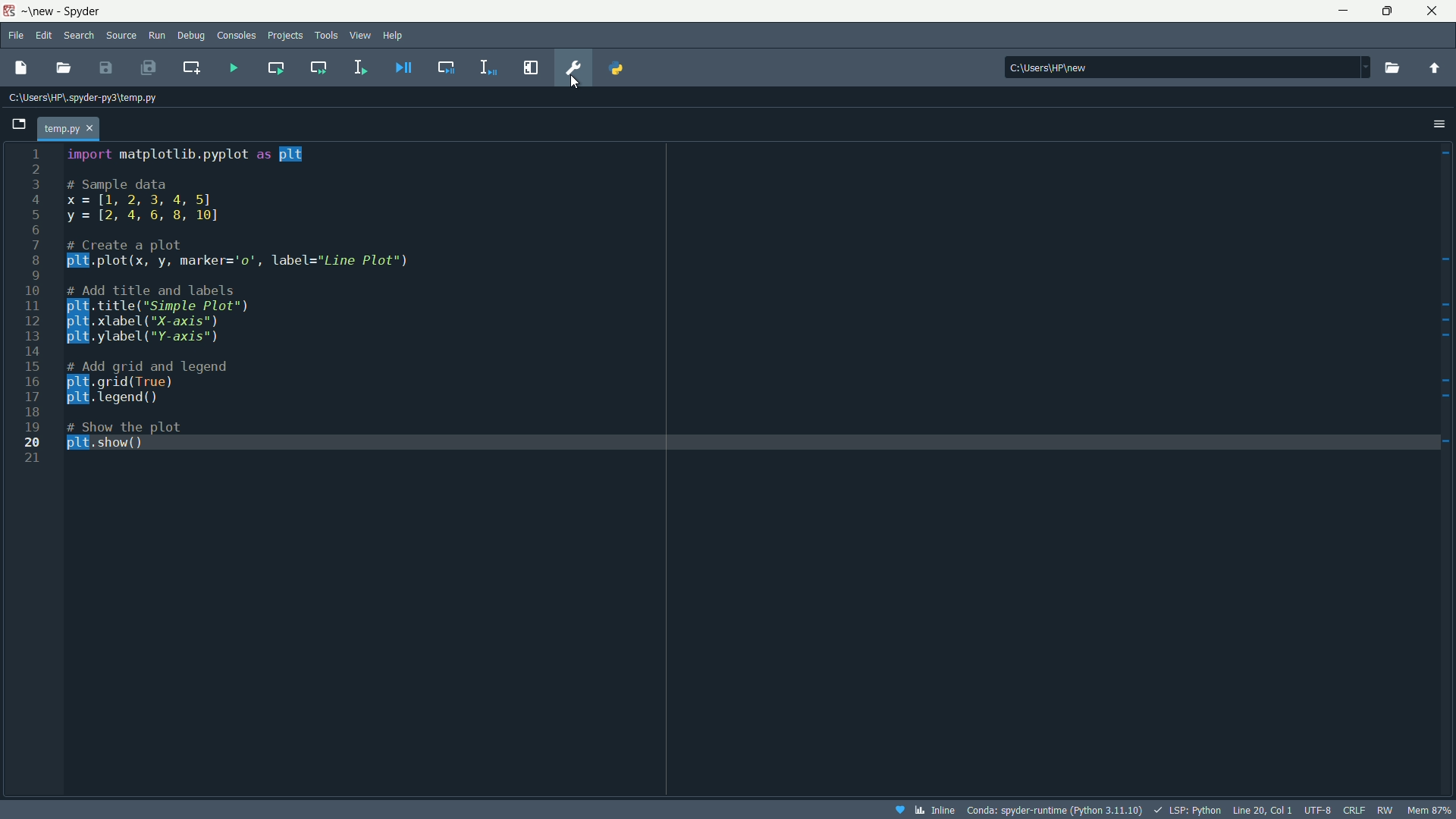  I want to click on interpreter, so click(1053, 811).